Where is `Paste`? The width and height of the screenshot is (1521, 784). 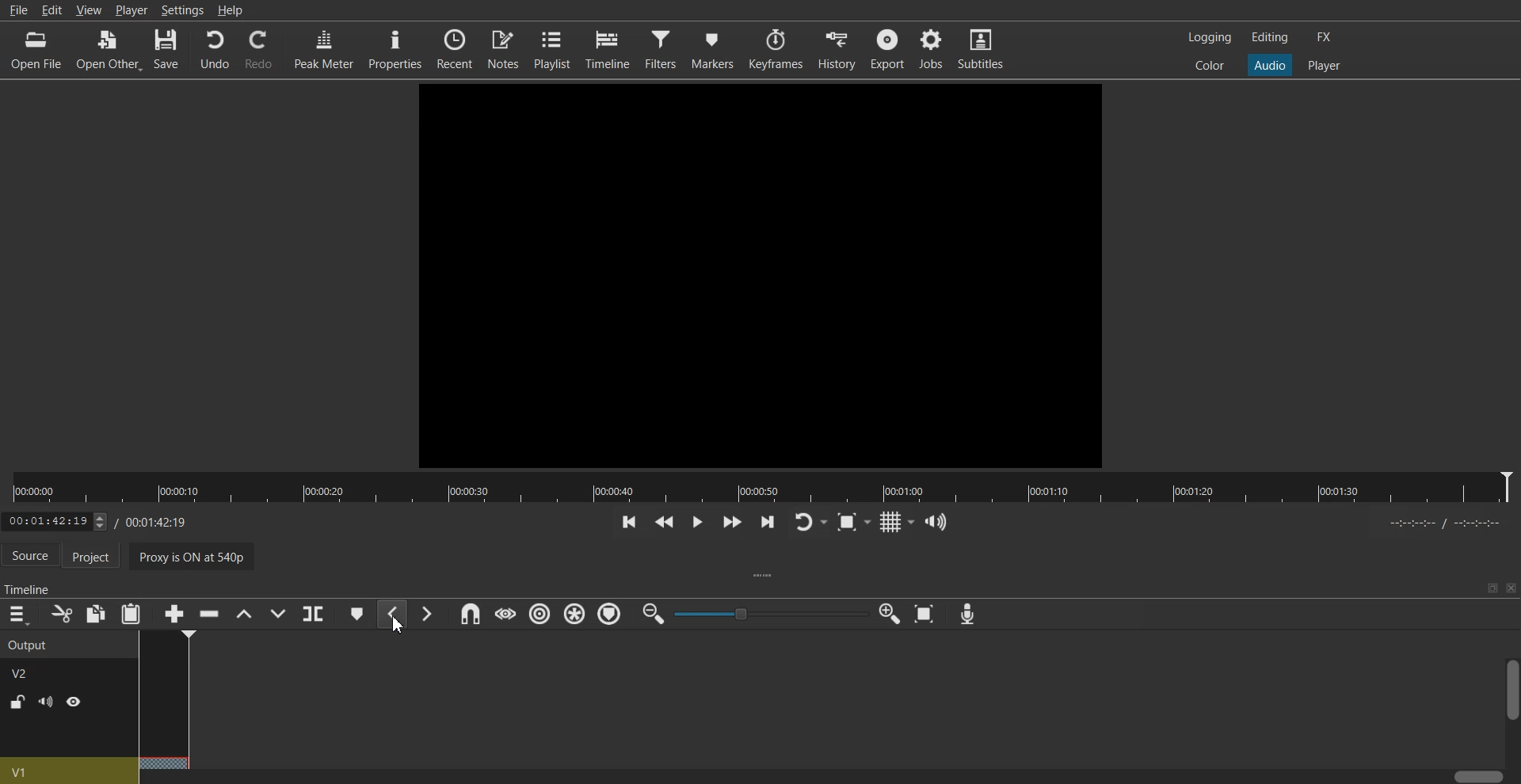 Paste is located at coordinates (131, 614).